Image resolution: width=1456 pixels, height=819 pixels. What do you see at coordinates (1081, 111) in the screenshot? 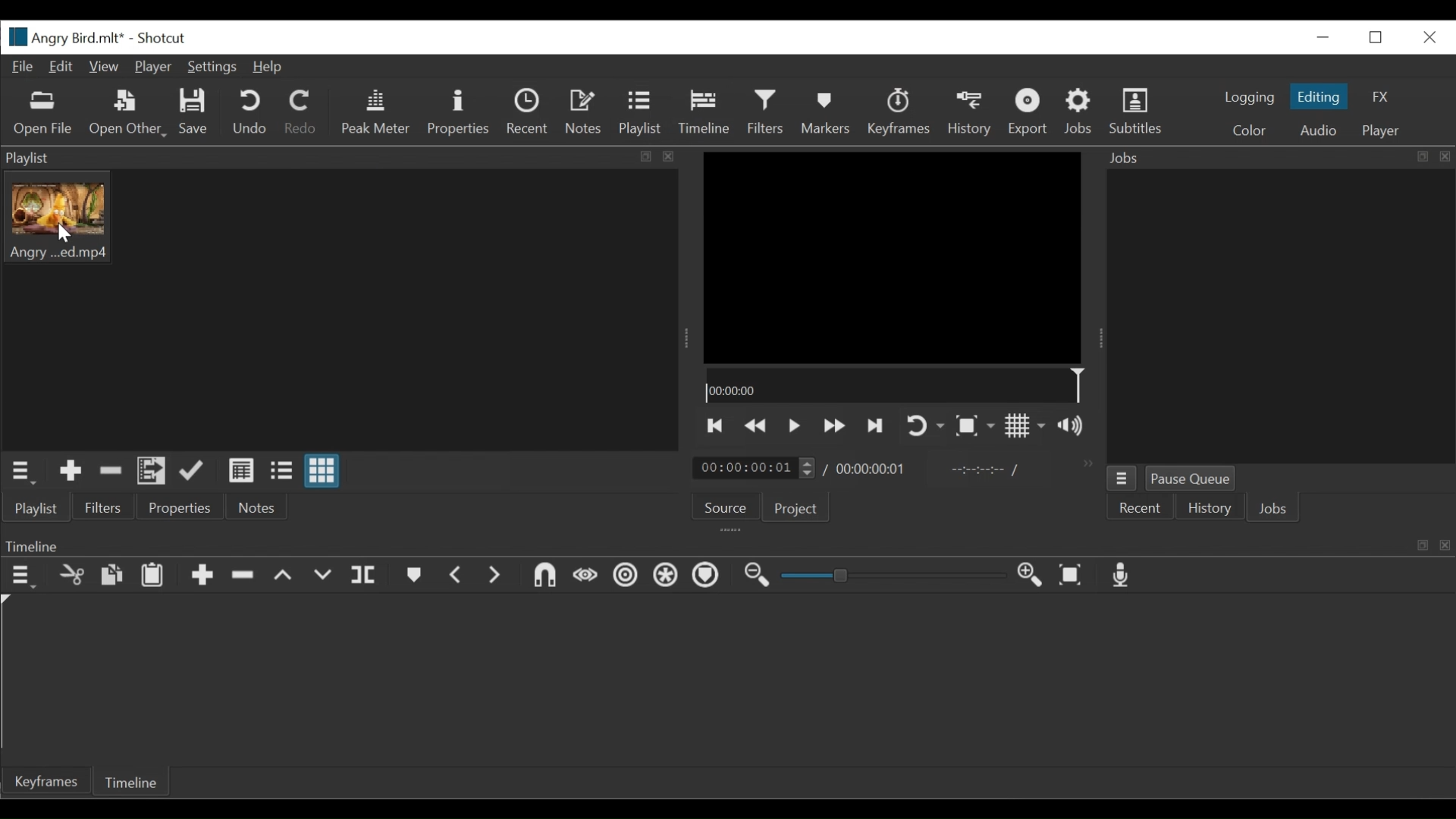
I see `Jobs` at bounding box center [1081, 111].